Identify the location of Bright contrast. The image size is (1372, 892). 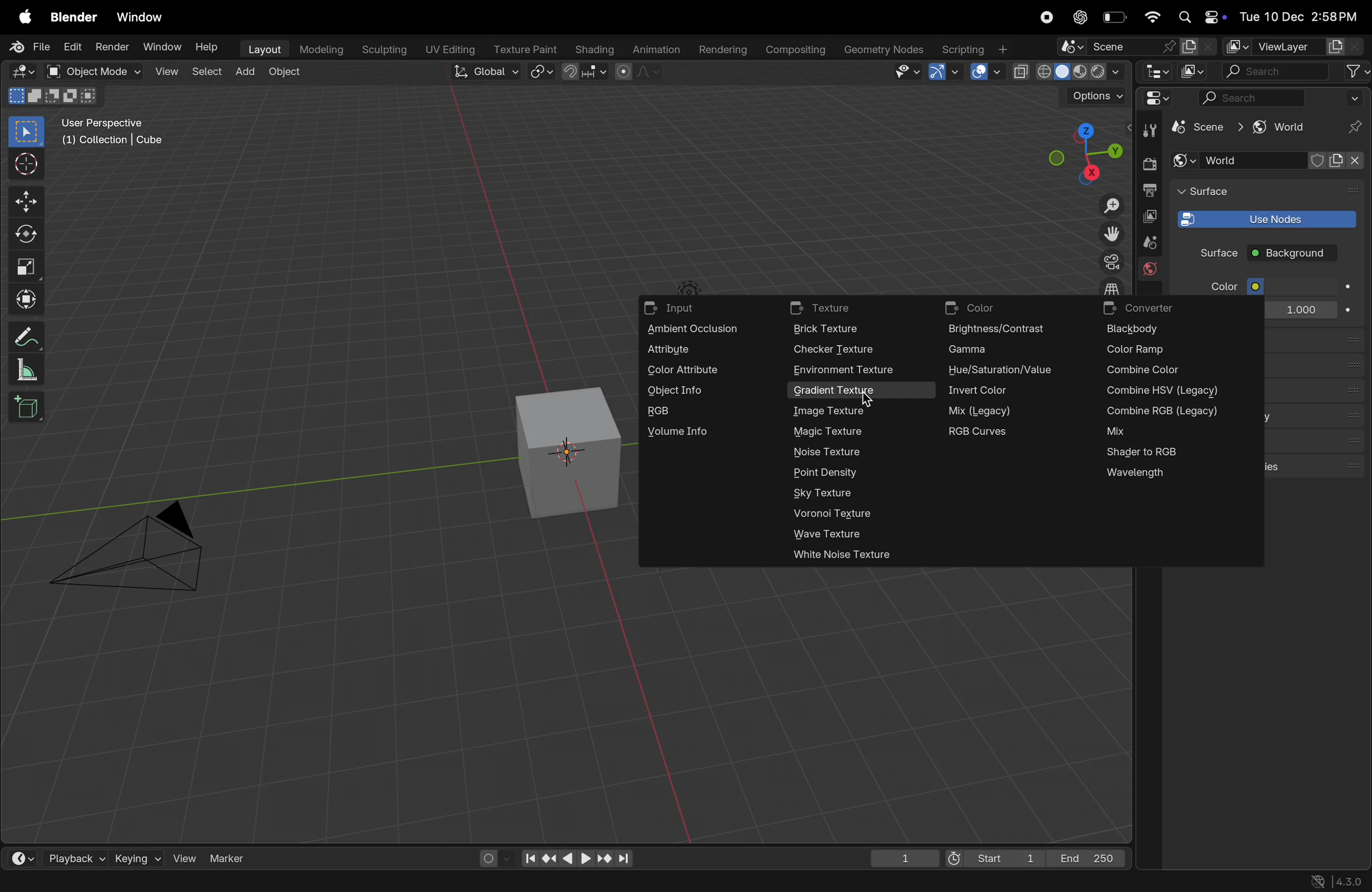
(1002, 330).